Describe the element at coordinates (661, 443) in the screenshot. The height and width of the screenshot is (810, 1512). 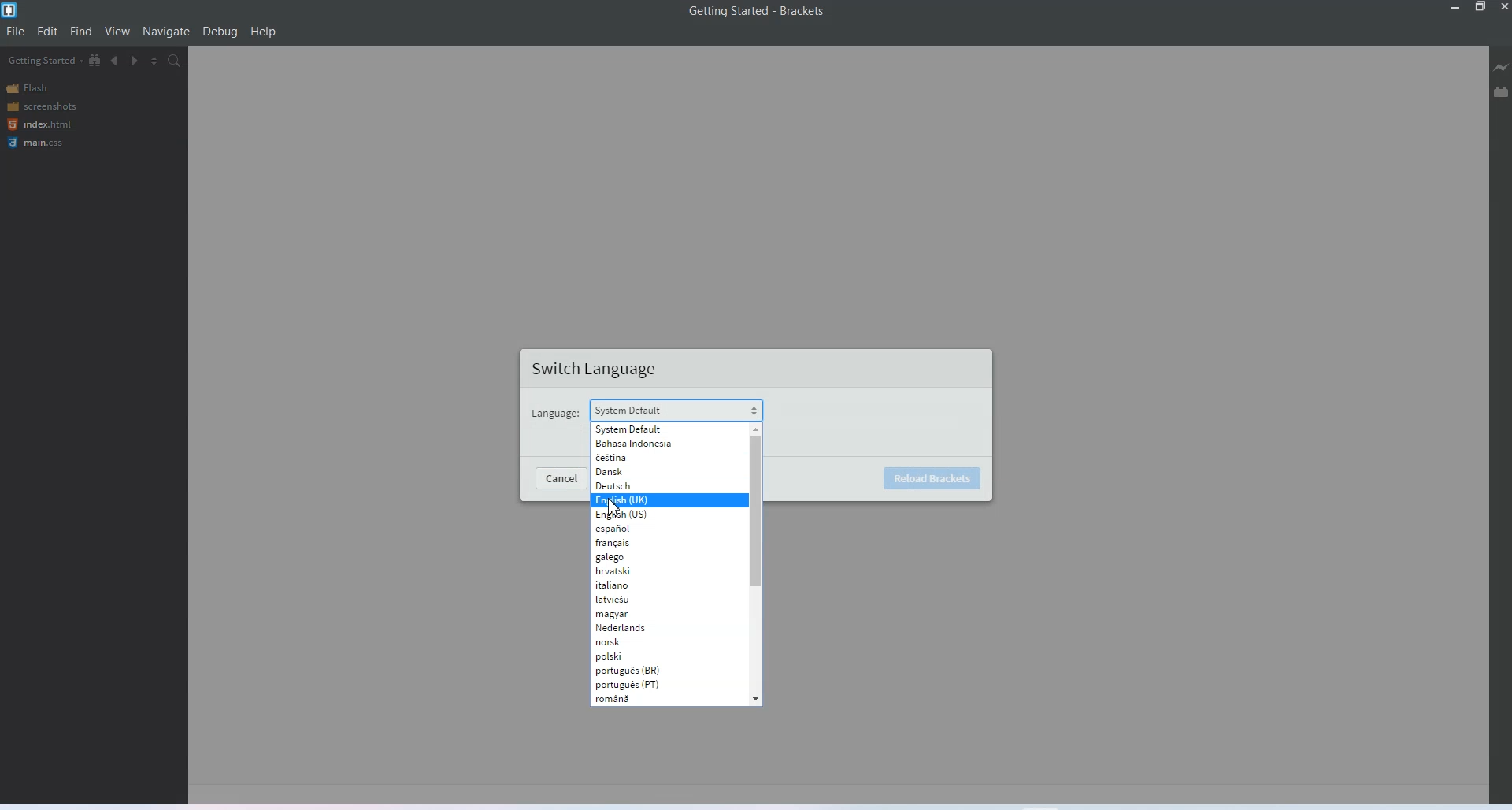
I see `Bahas Indonesia` at that location.